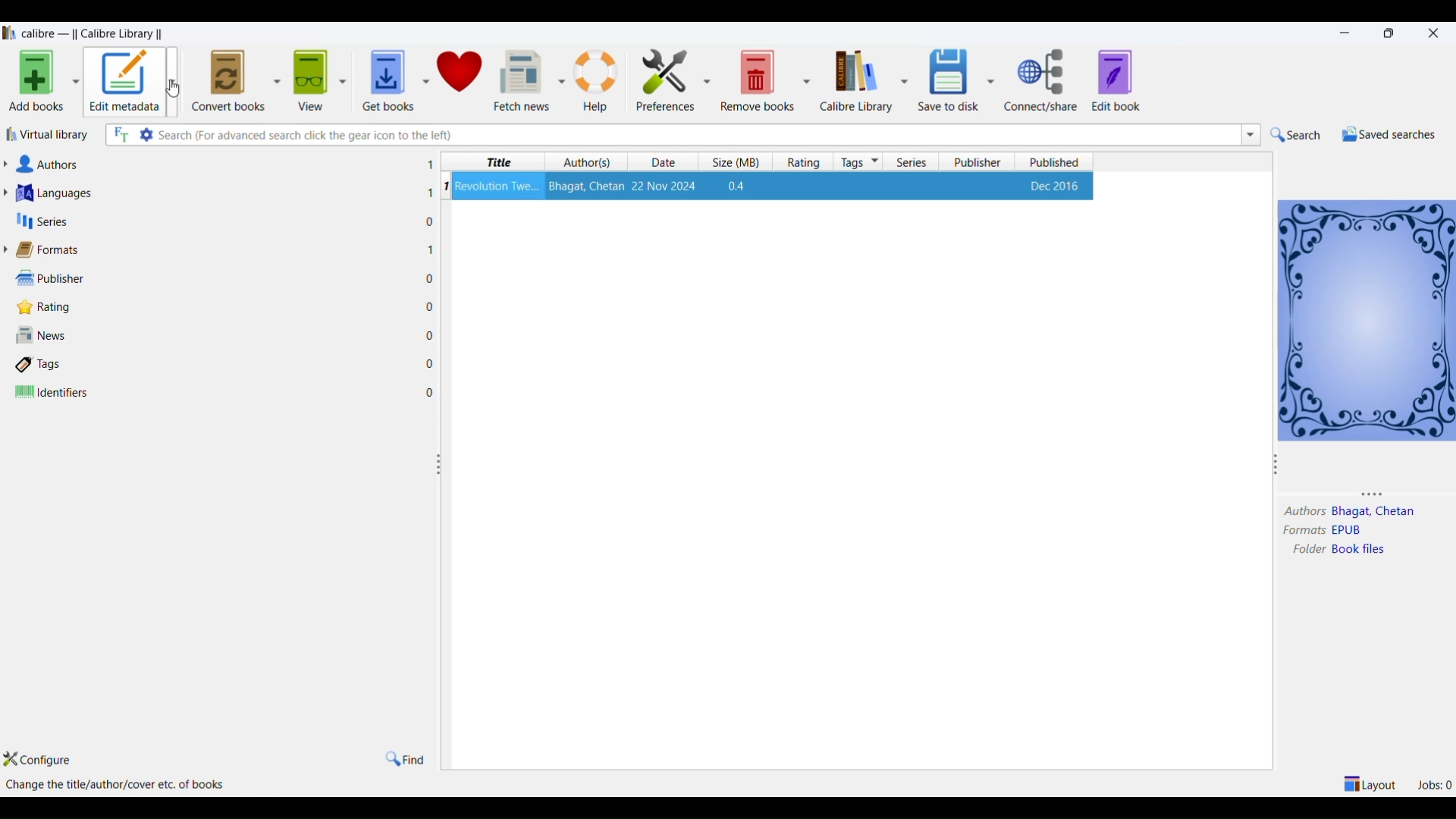 The image size is (1456, 819). Describe the element at coordinates (912, 162) in the screenshot. I see `series` at that location.